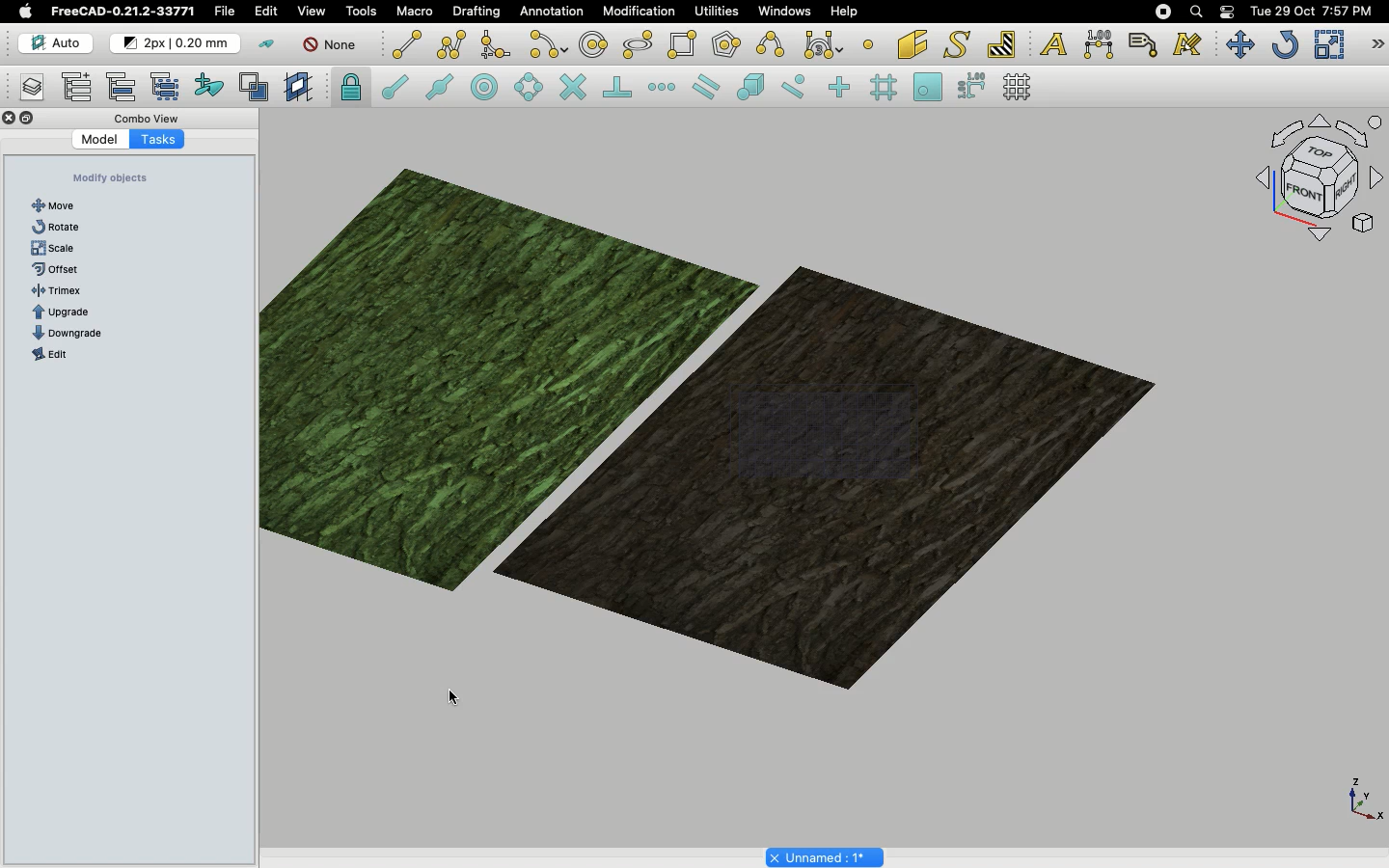 Image resolution: width=1389 pixels, height=868 pixels. Describe the element at coordinates (92, 140) in the screenshot. I see `Model` at that location.